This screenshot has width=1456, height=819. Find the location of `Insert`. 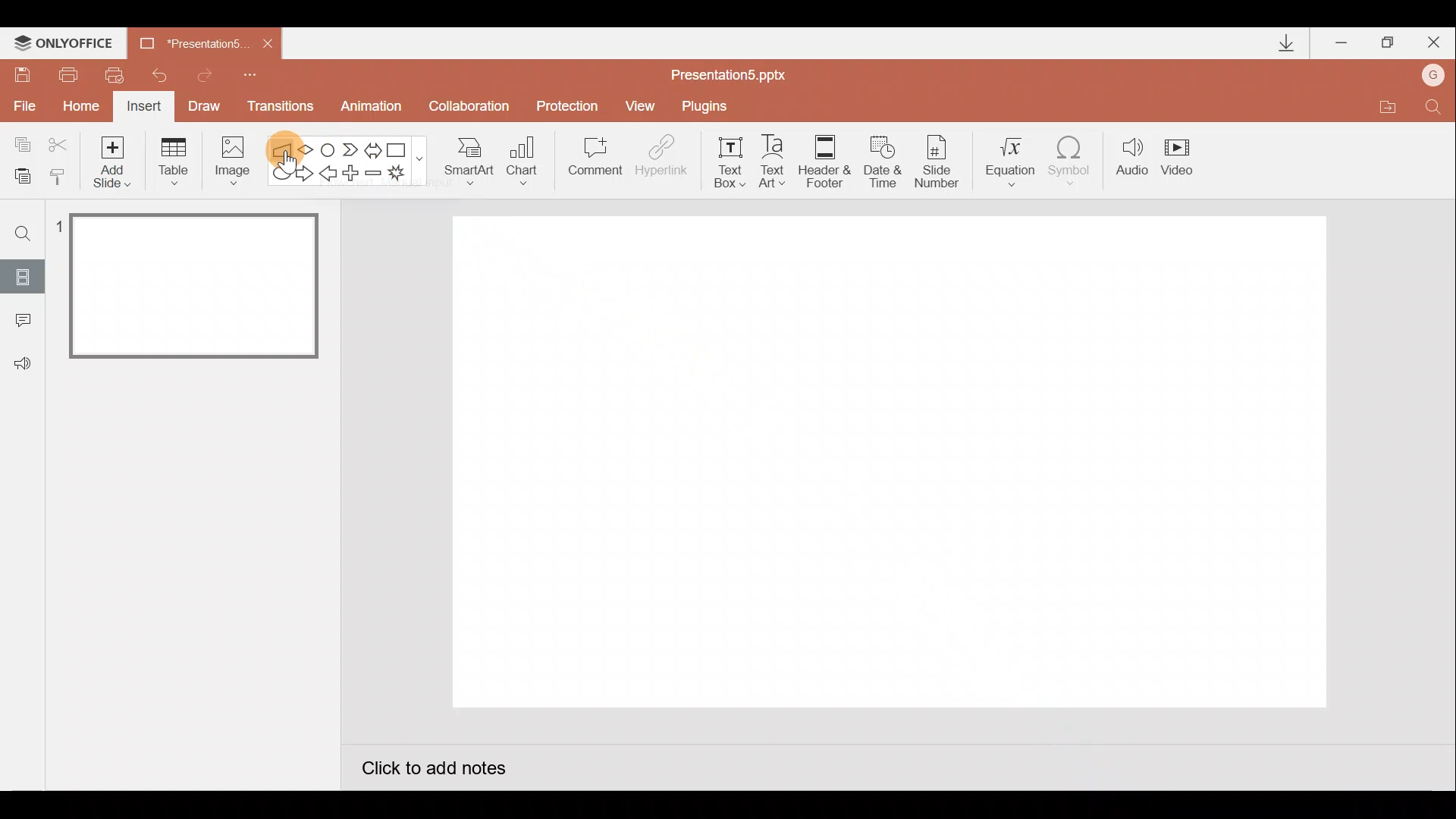

Insert is located at coordinates (142, 108).